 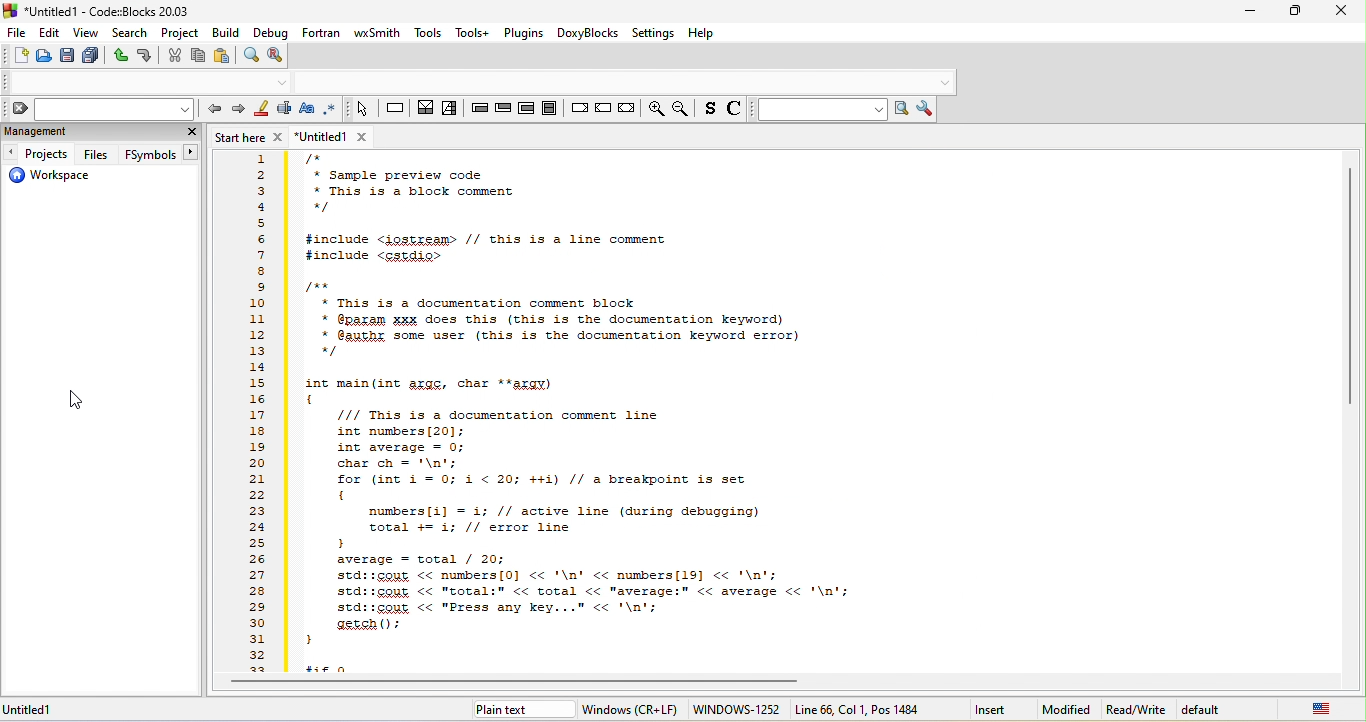 I want to click on clear, so click(x=98, y=109).